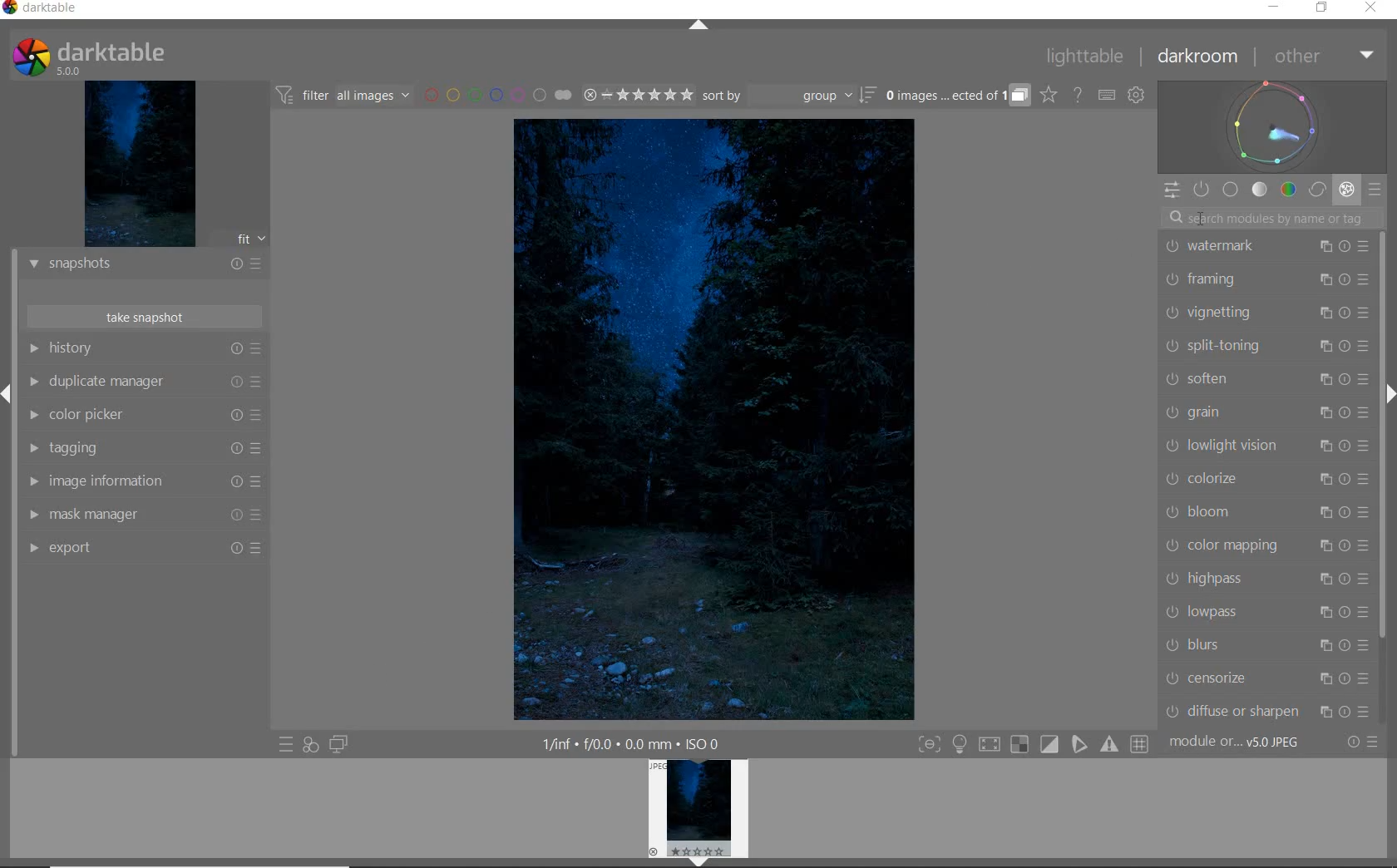 The width and height of the screenshot is (1397, 868). I want to click on HIGHPASS, so click(1265, 579).